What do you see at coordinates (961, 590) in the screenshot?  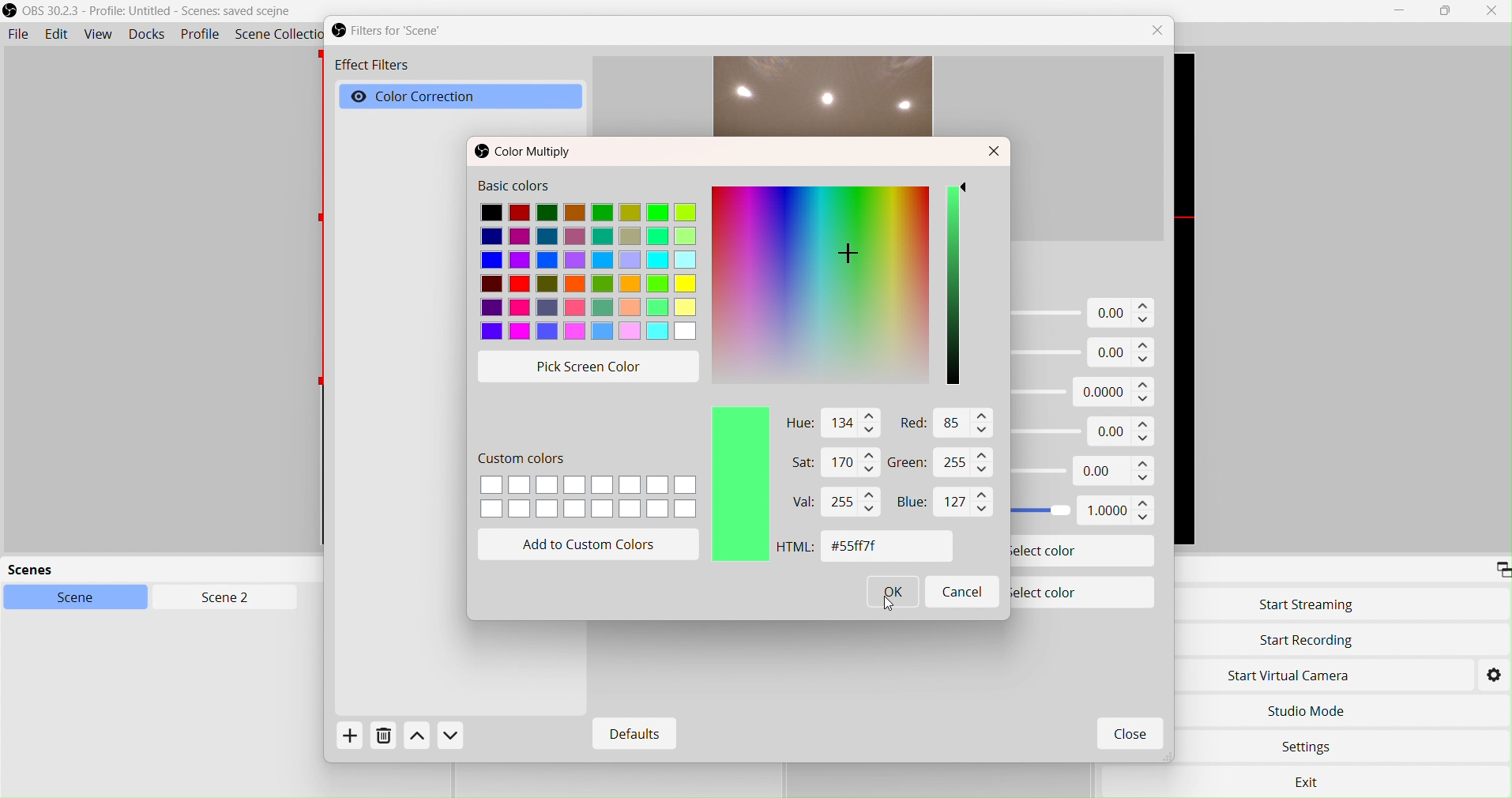 I see `Cancel` at bounding box center [961, 590].